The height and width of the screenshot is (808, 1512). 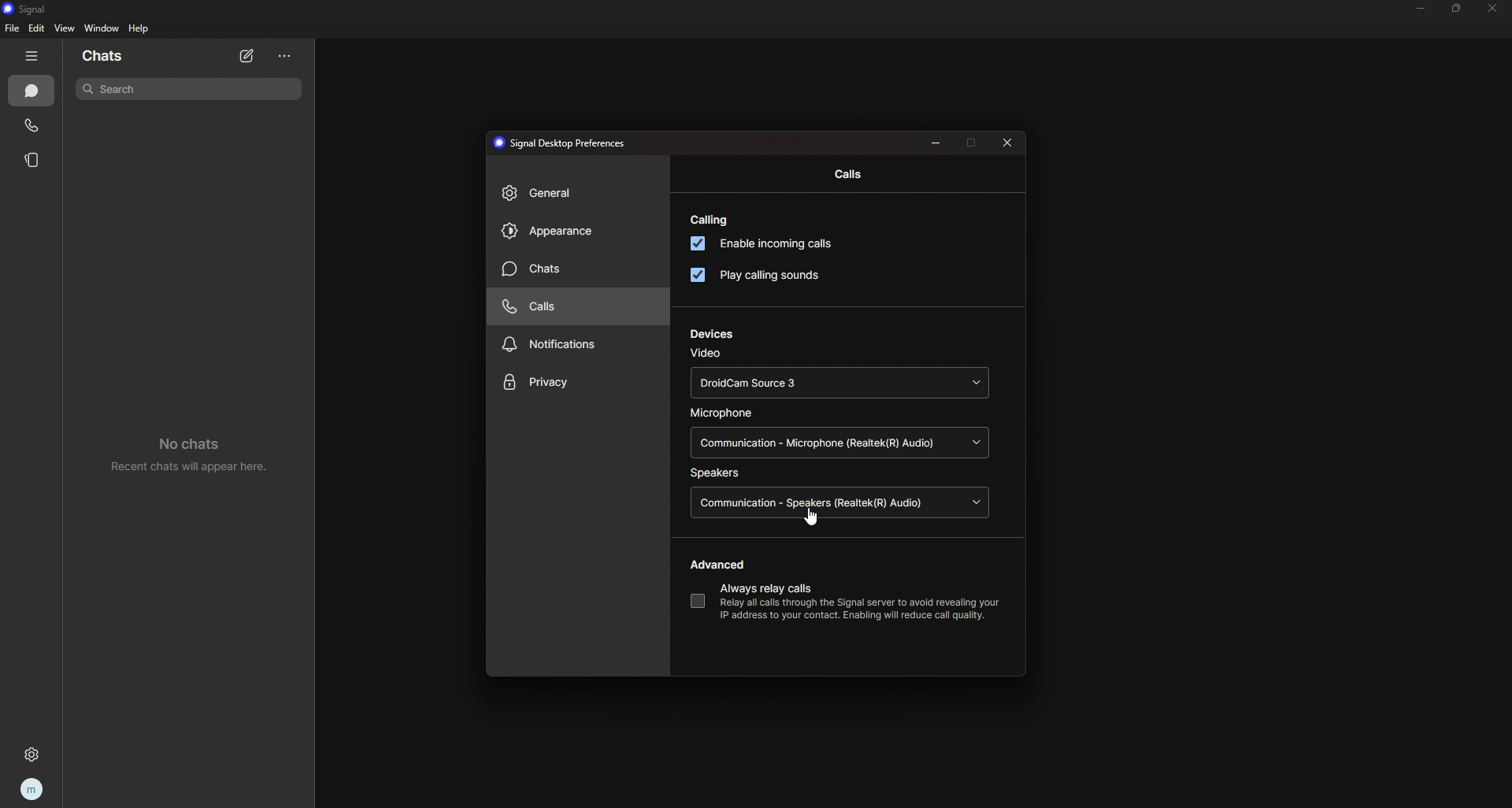 What do you see at coordinates (697, 602) in the screenshot?
I see `always relay calls toggle` at bounding box center [697, 602].